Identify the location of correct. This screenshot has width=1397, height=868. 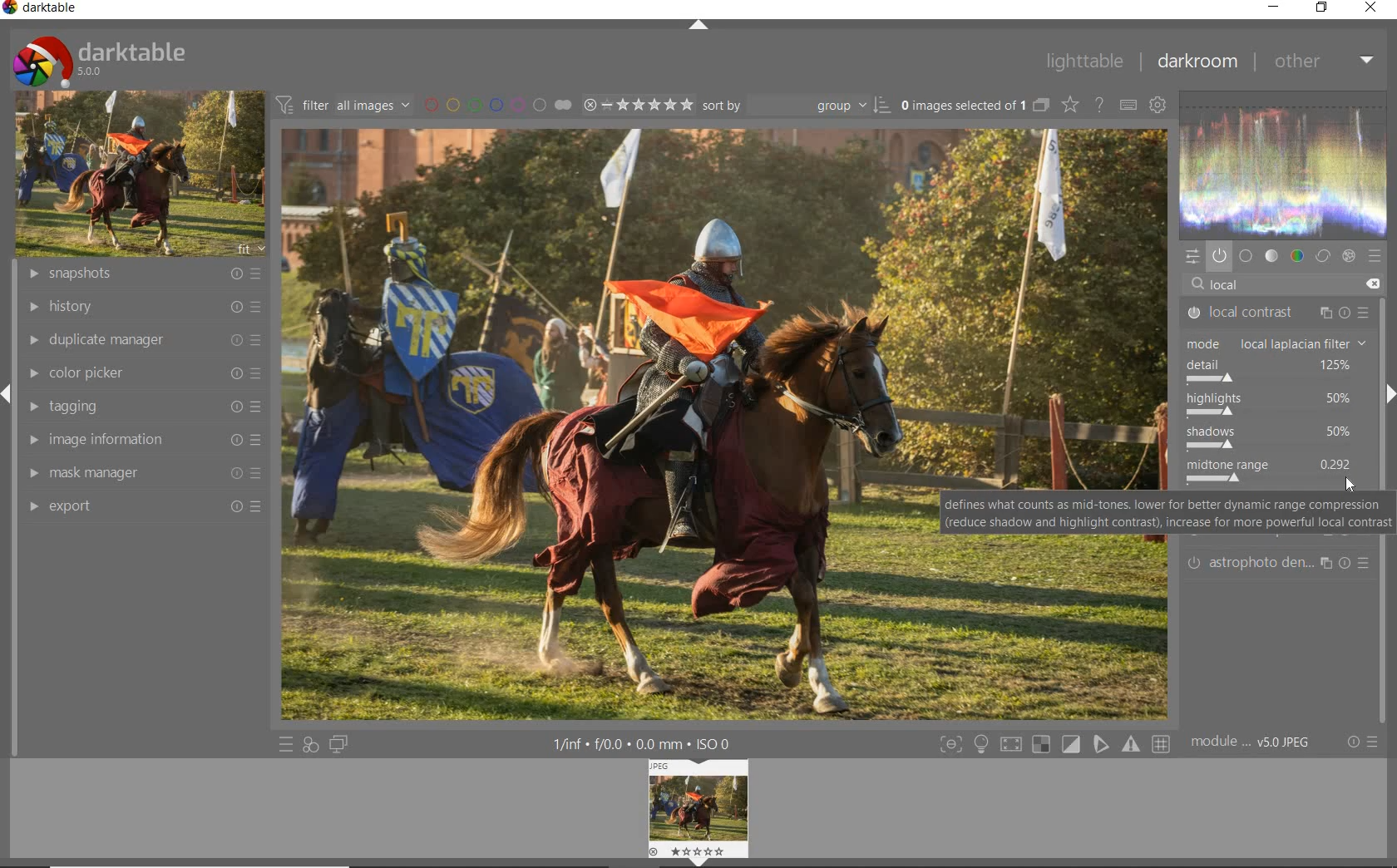
(1324, 256).